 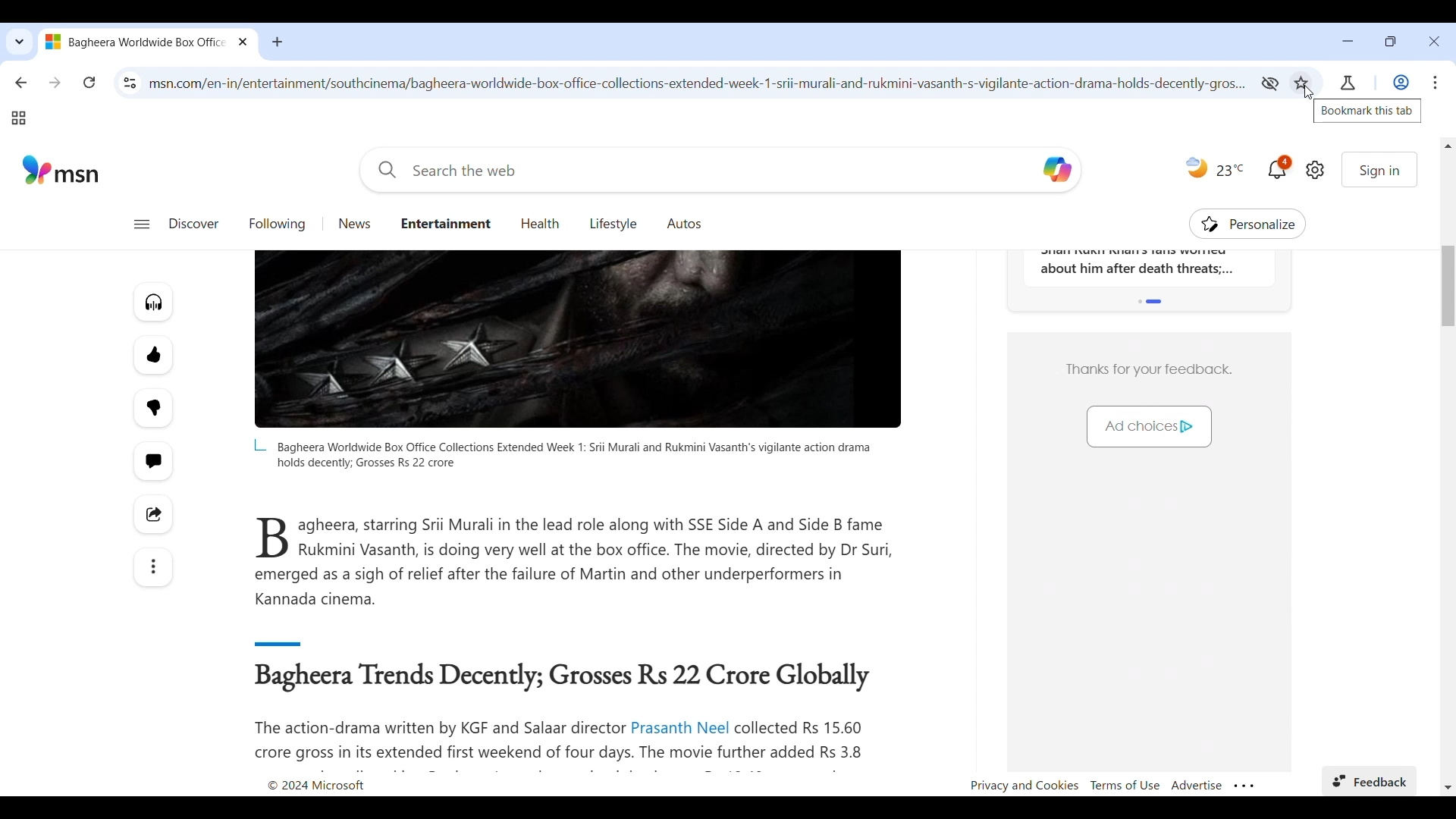 I want to click on Go forward, so click(x=55, y=82).